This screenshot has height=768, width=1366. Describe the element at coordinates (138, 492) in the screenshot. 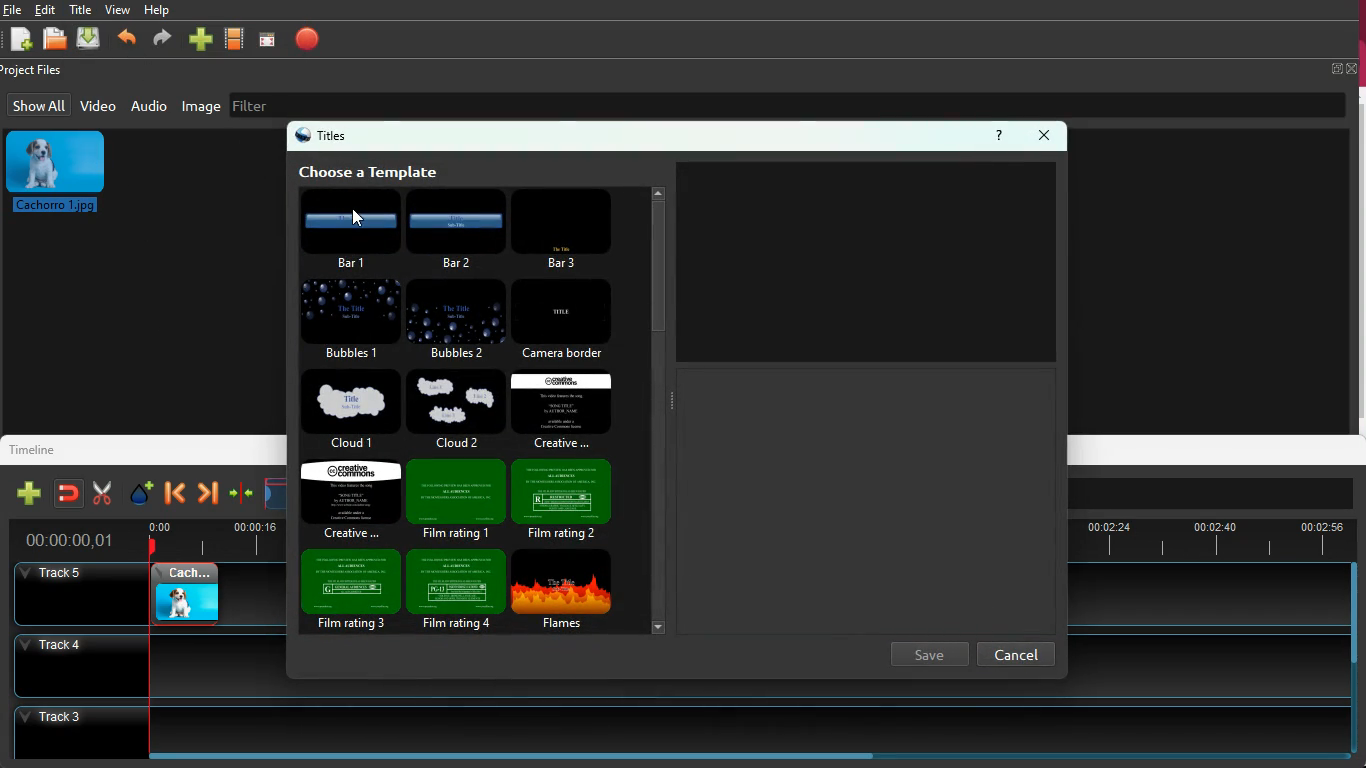

I see `effect` at that location.